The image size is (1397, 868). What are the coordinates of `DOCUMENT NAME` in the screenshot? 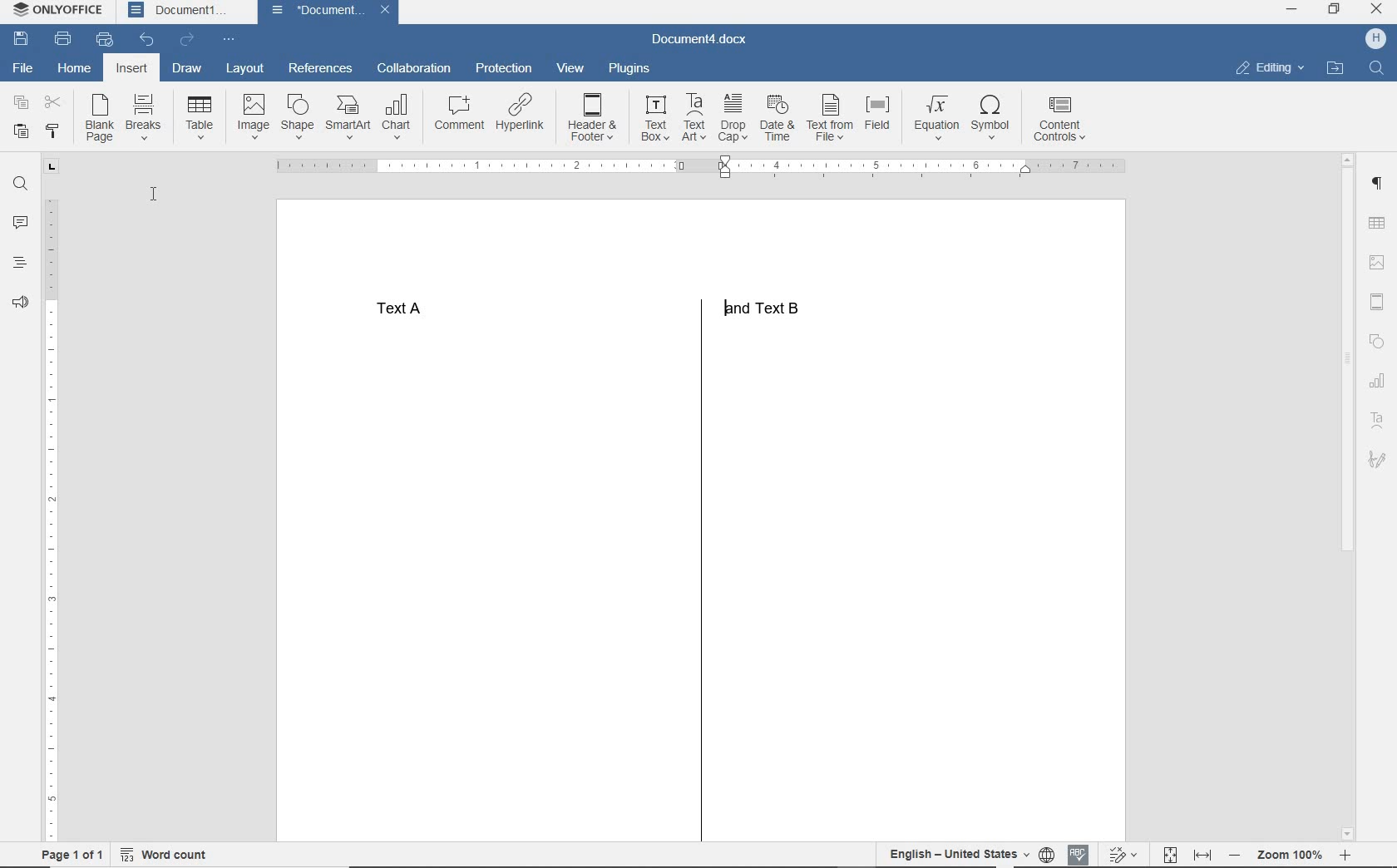 It's located at (699, 41).